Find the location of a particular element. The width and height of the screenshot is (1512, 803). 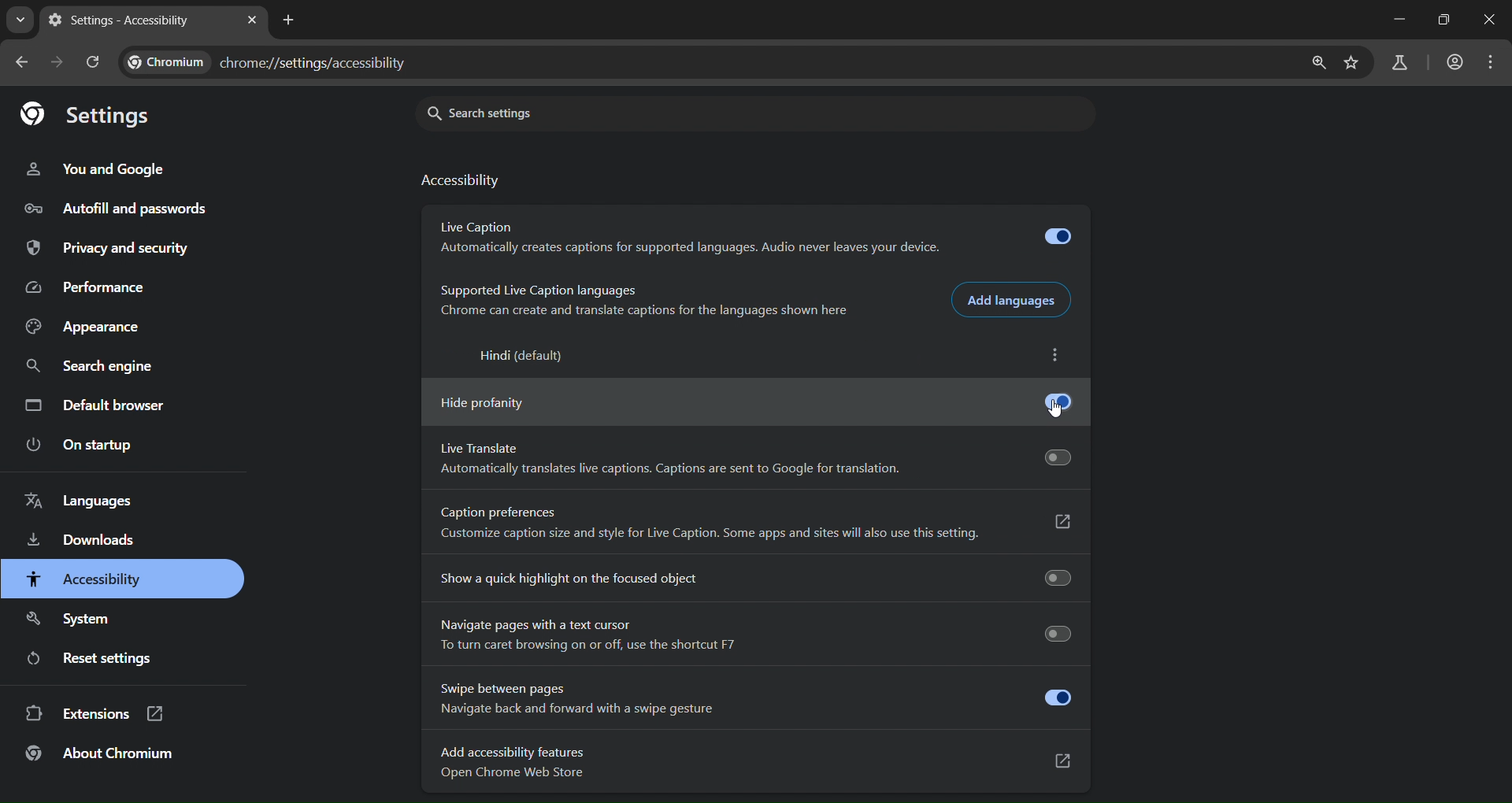

search engine is located at coordinates (98, 366).